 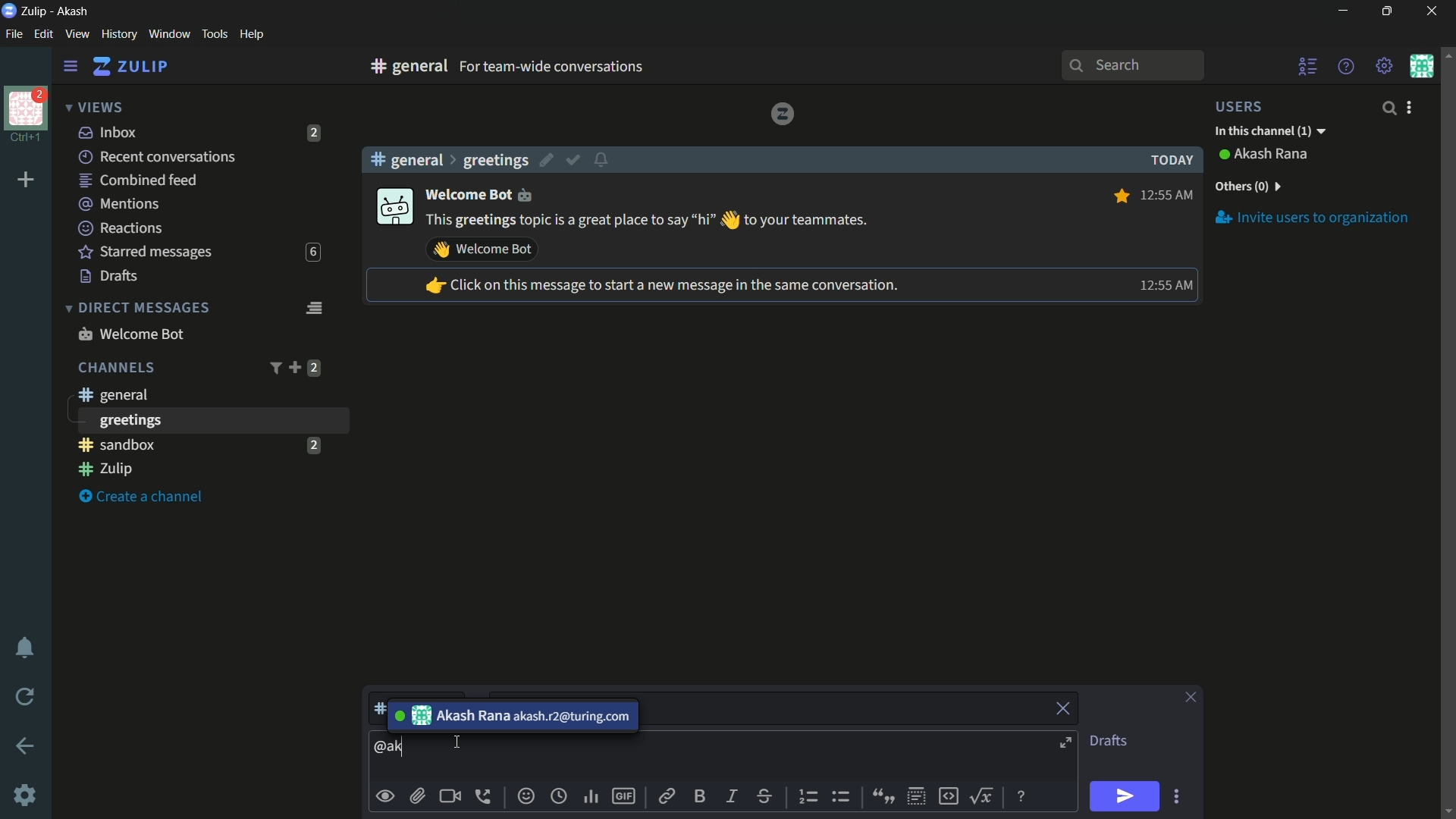 What do you see at coordinates (120, 227) in the screenshot?
I see `reactions` at bounding box center [120, 227].